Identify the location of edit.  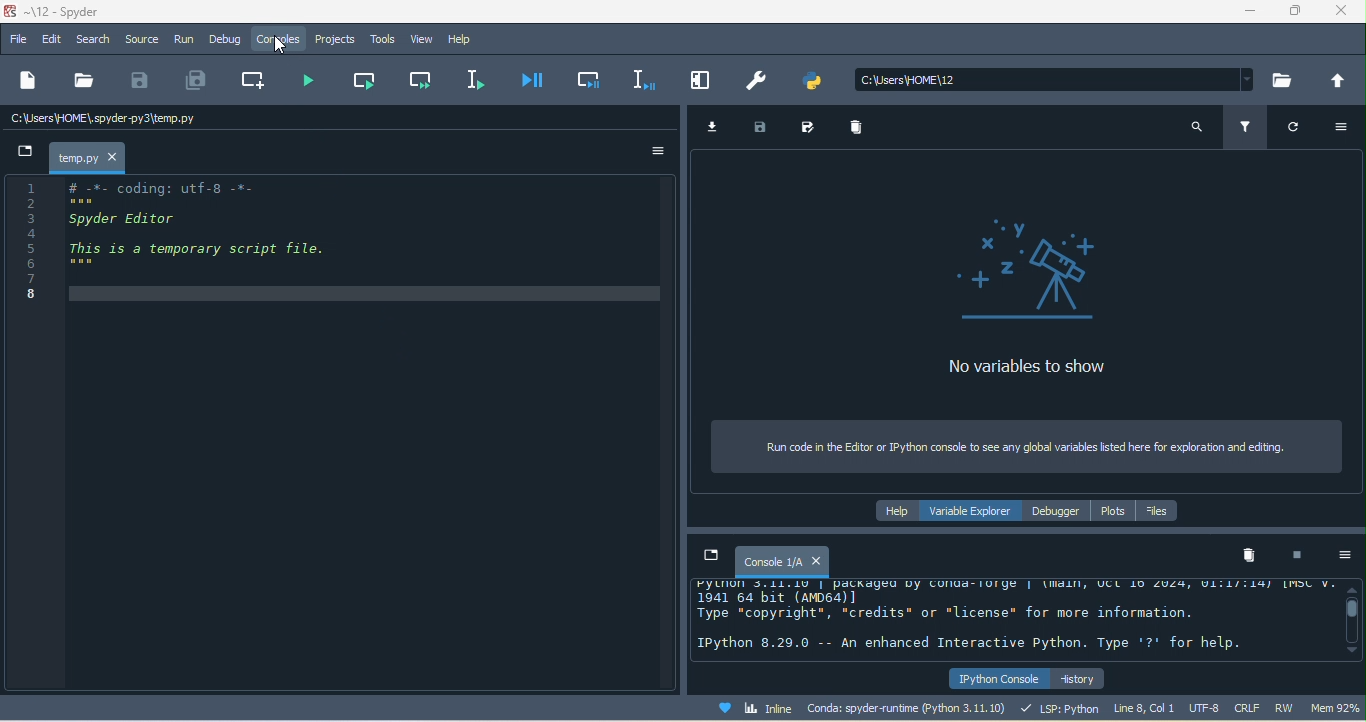
(51, 39).